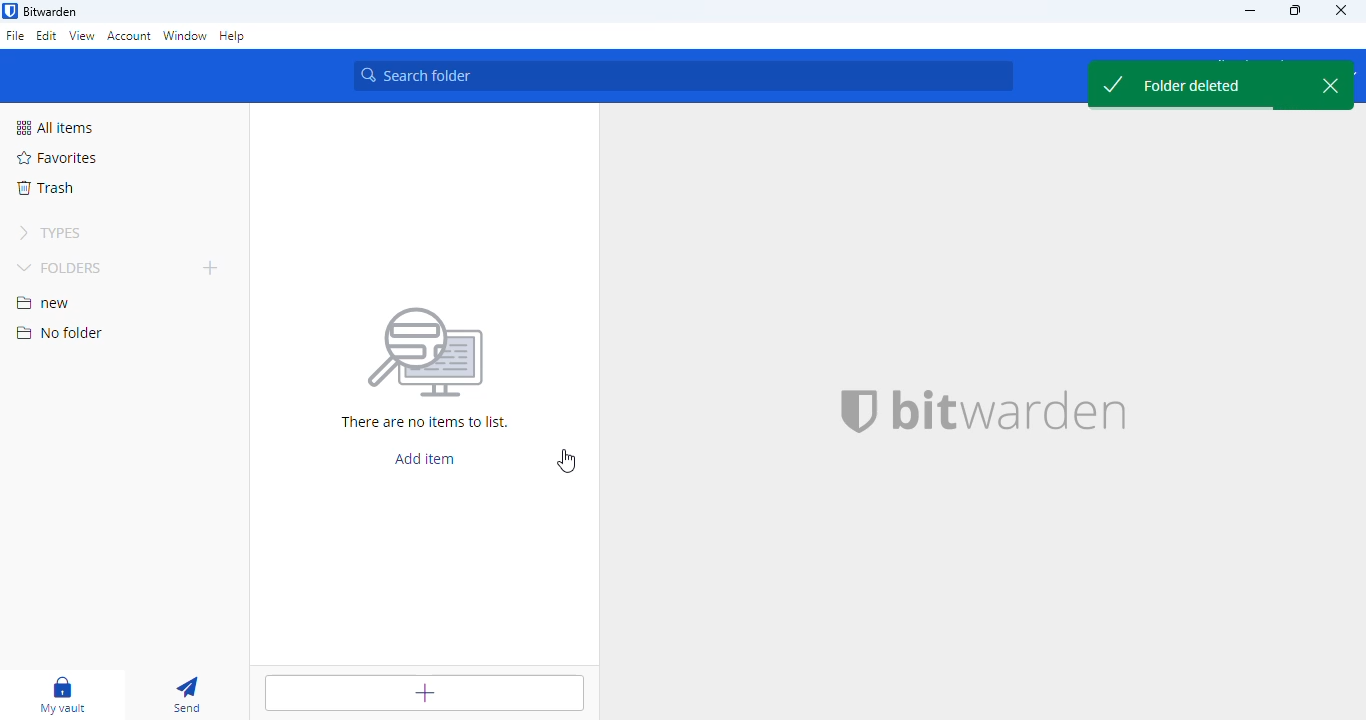 The width and height of the screenshot is (1366, 720). Describe the element at coordinates (82, 36) in the screenshot. I see `view` at that location.